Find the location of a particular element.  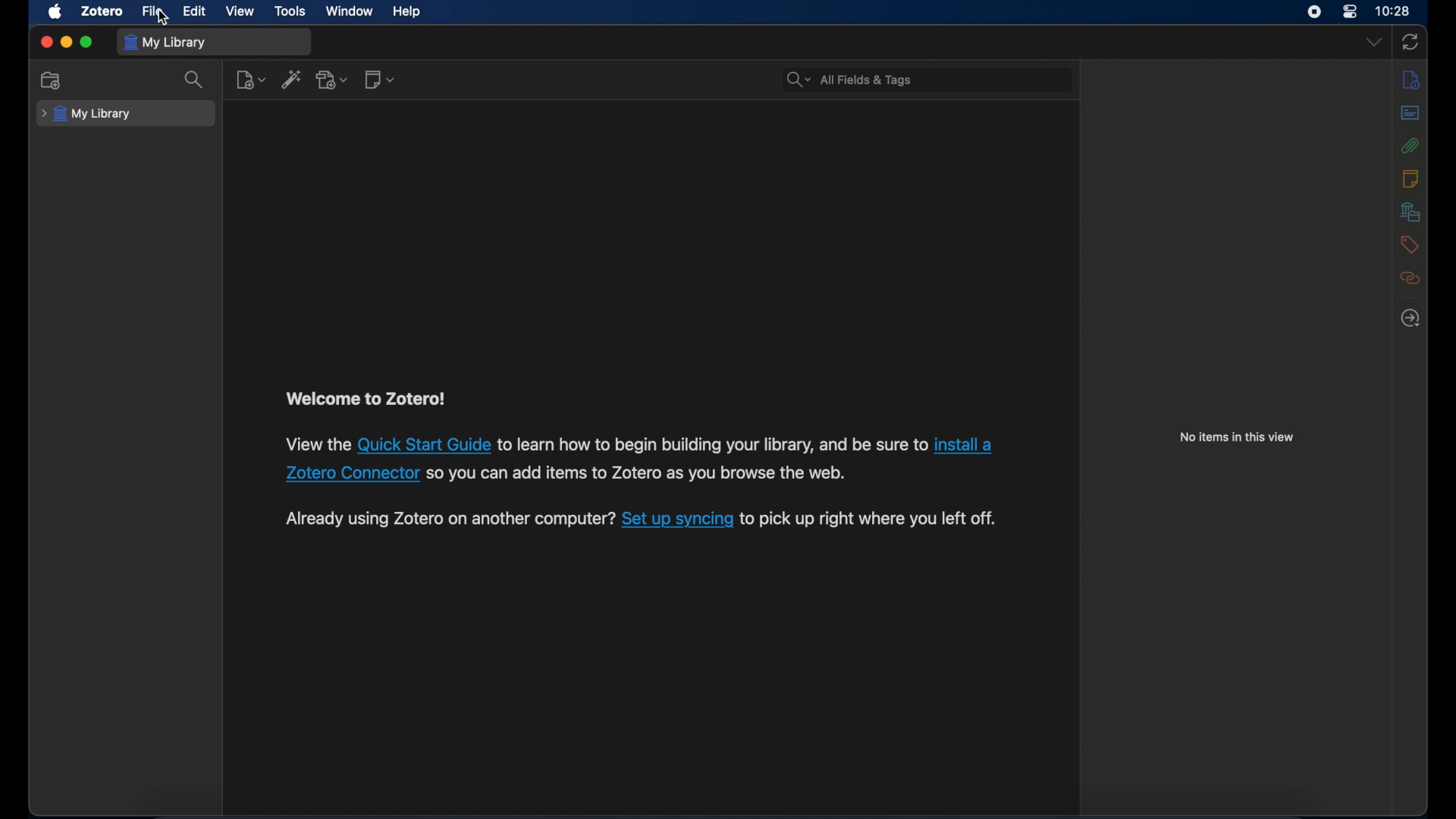

minimize is located at coordinates (65, 42).